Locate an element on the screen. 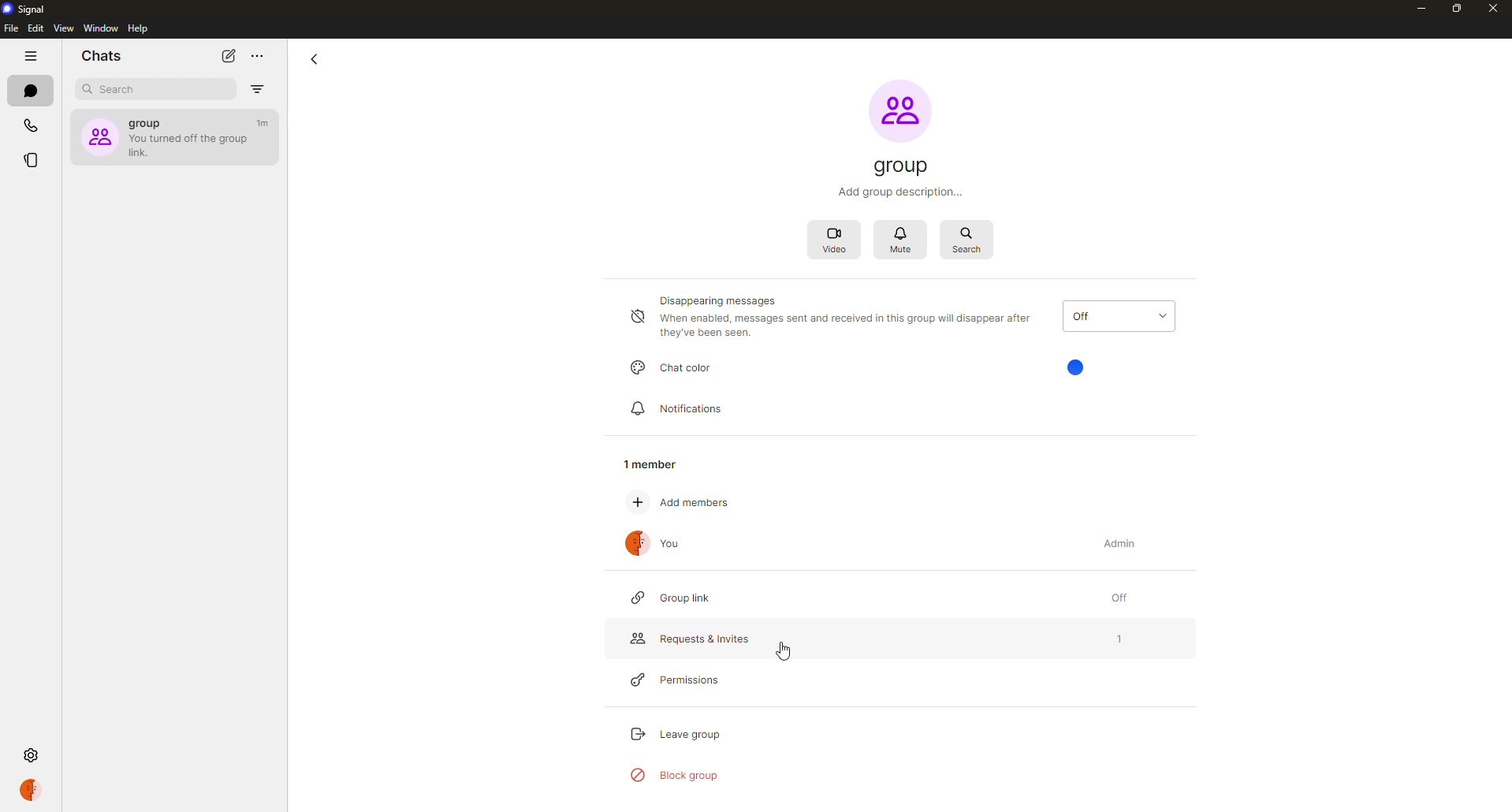 This screenshot has width=1512, height=812. hide tabs is located at coordinates (28, 58).